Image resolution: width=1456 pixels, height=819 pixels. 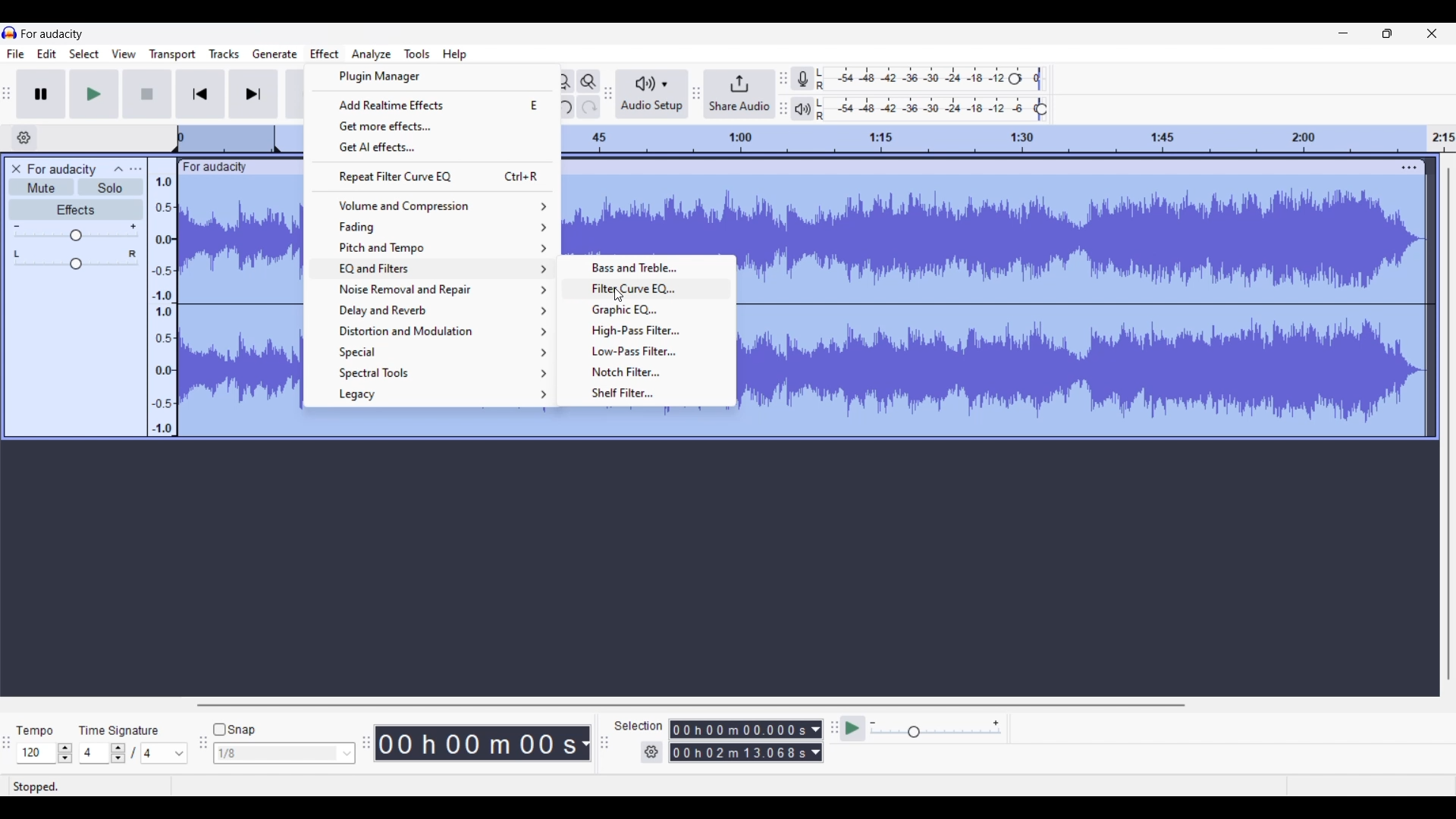 What do you see at coordinates (416, 54) in the screenshot?
I see `Tools menu` at bounding box center [416, 54].